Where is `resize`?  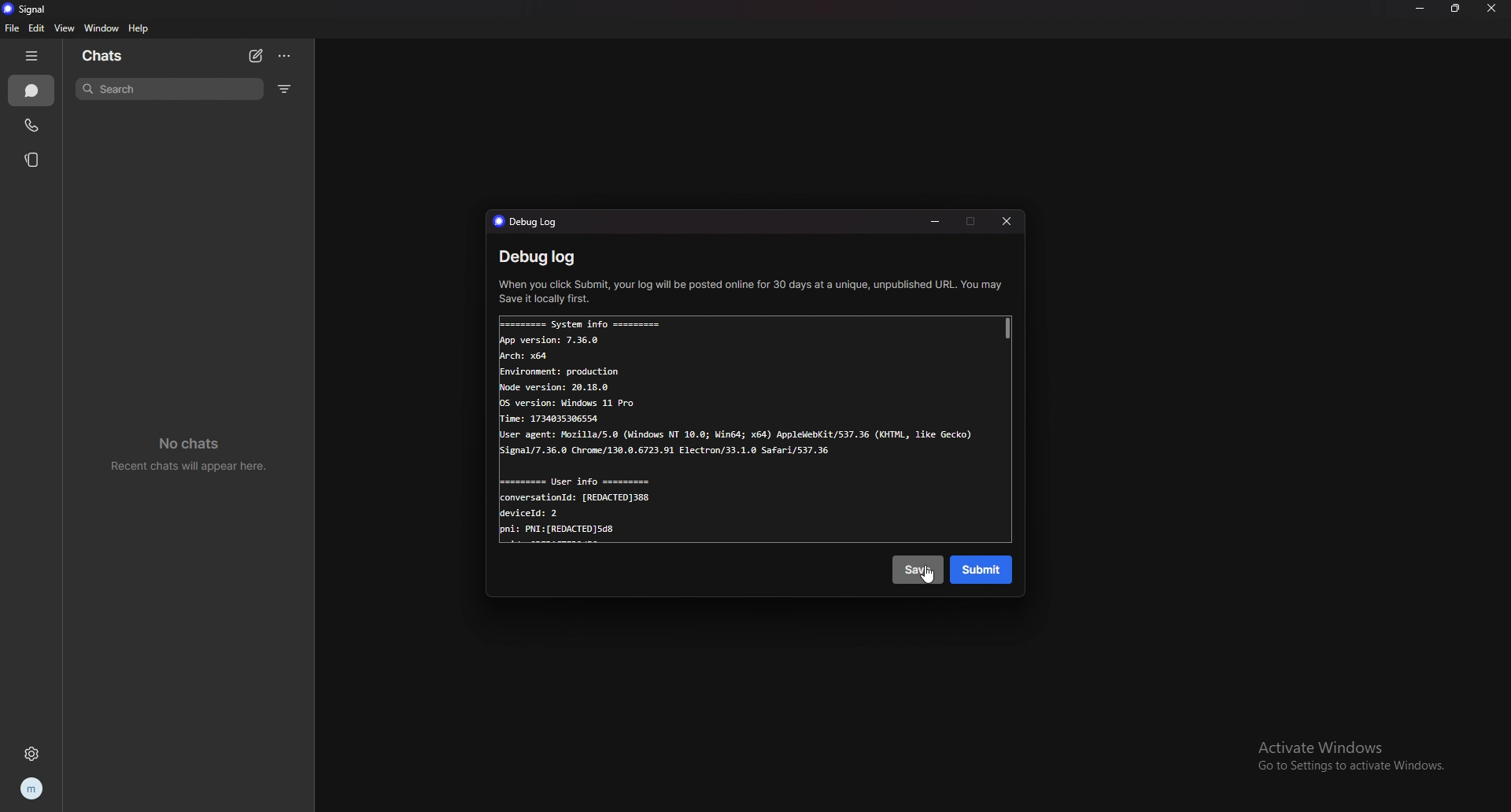 resize is located at coordinates (1455, 7).